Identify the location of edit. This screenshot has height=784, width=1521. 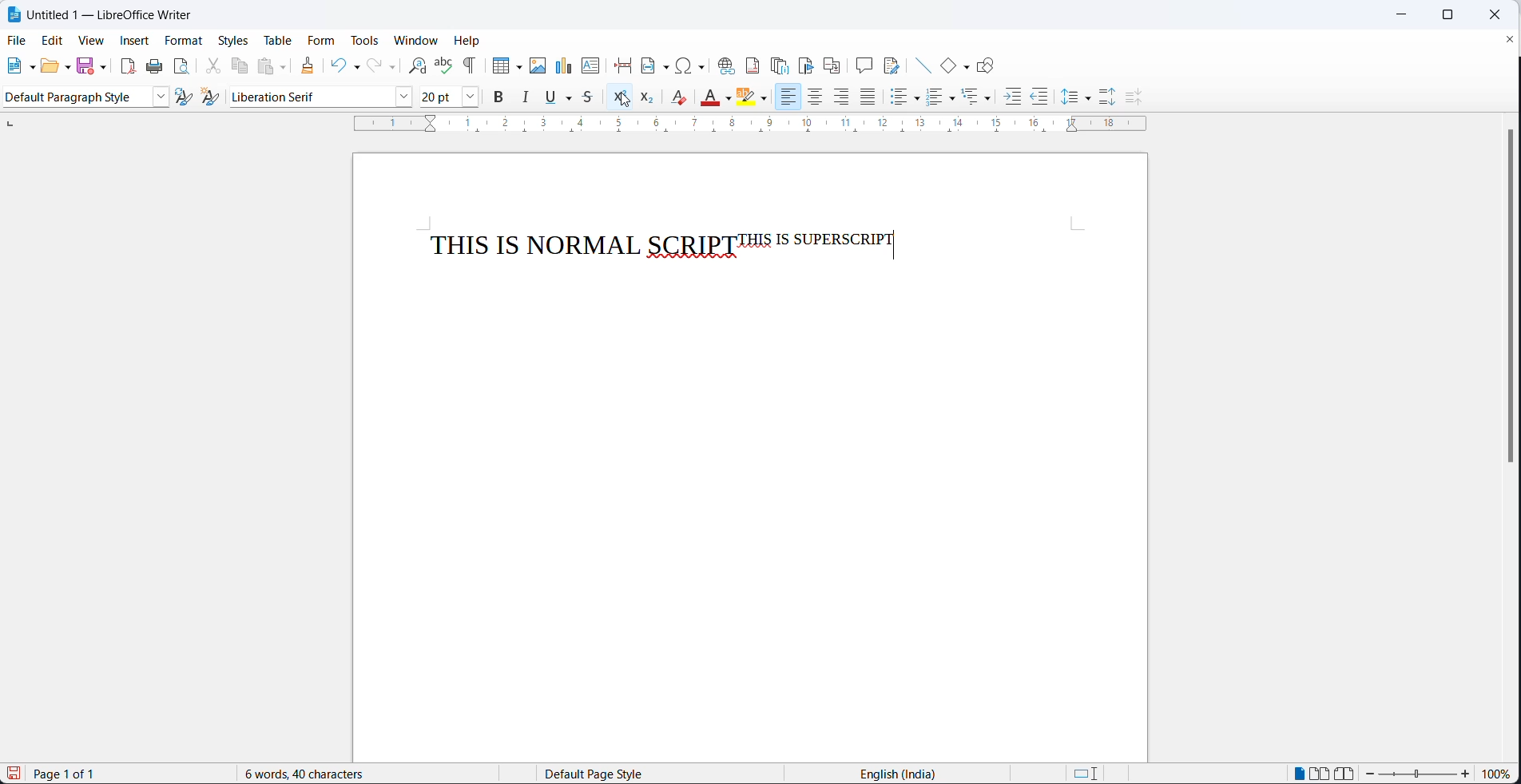
(50, 42).